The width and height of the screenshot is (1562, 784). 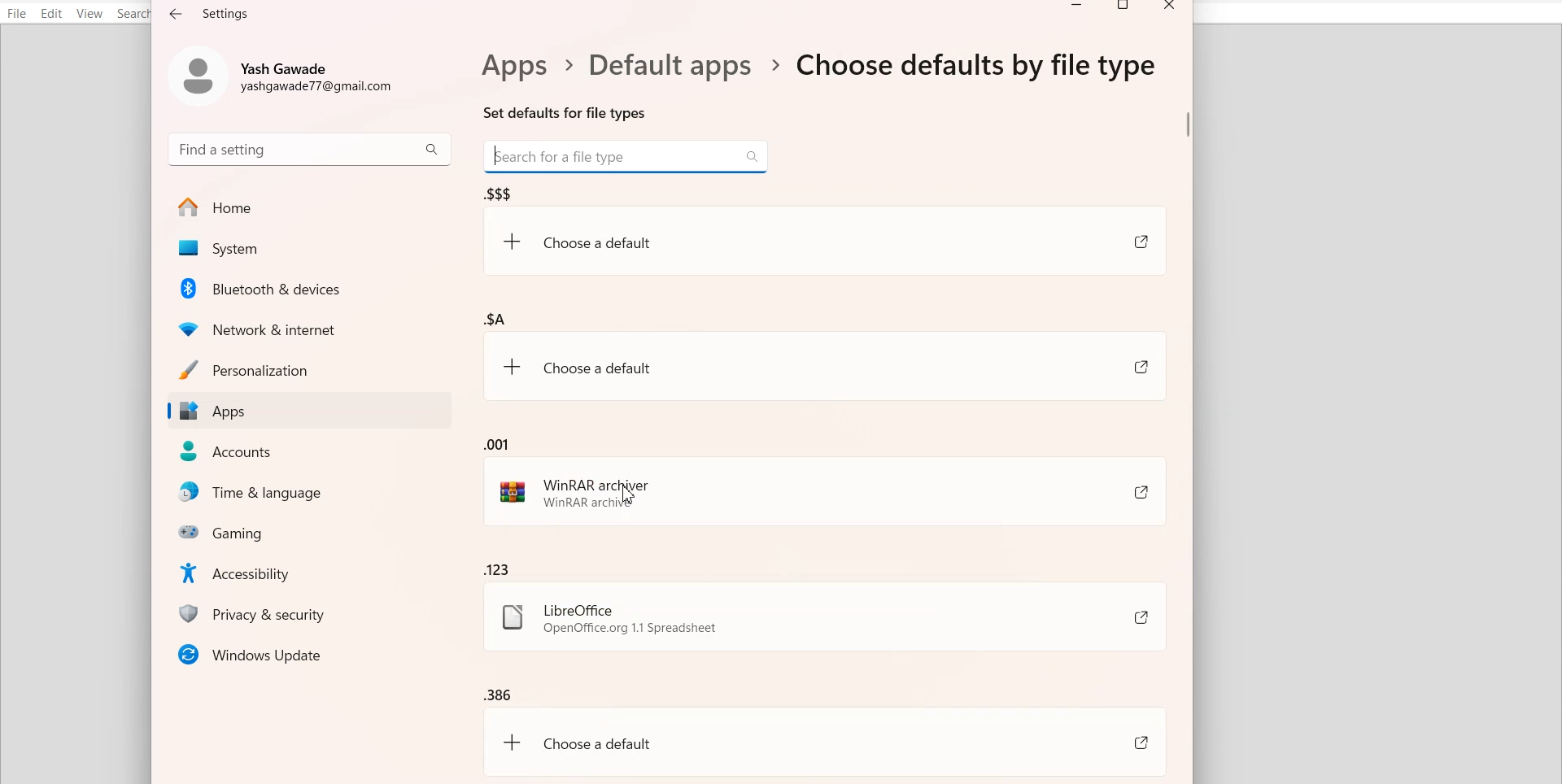 What do you see at coordinates (812, 85) in the screenshot?
I see `Text` at bounding box center [812, 85].